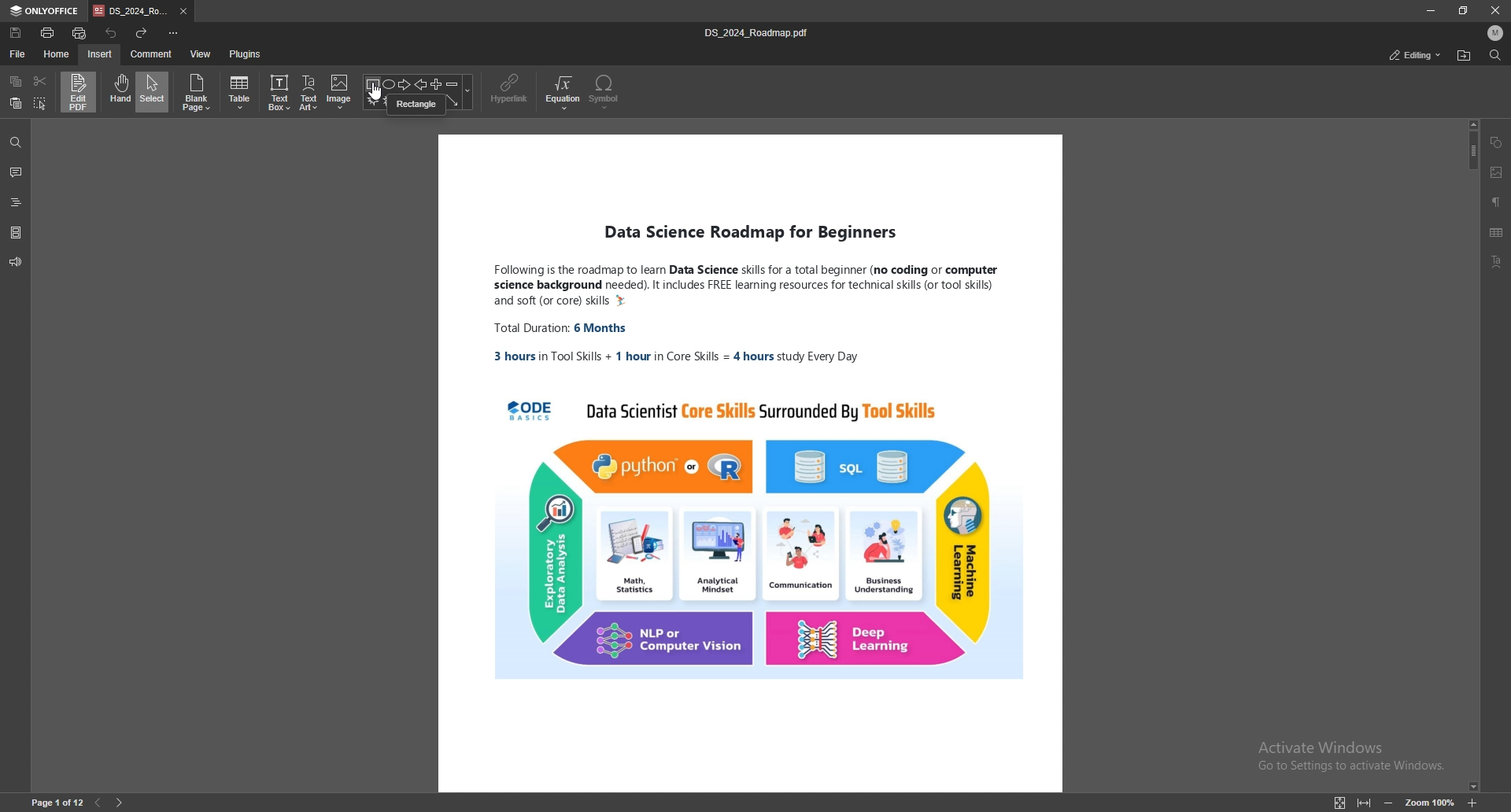 This screenshot has width=1511, height=812. What do you see at coordinates (310, 92) in the screenshot?
I see `text art` at bounding box center [310, 92].